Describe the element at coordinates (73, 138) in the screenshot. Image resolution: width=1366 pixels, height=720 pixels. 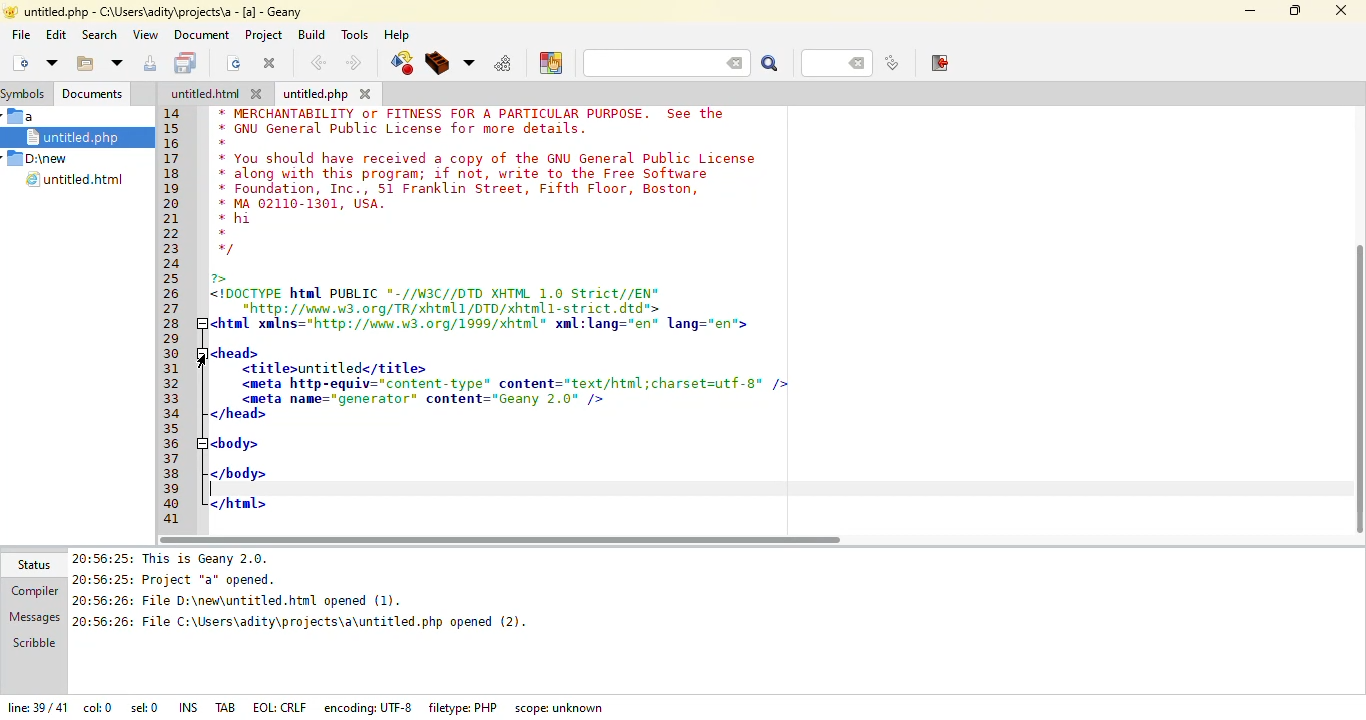
I see `untitled.php` at that location.